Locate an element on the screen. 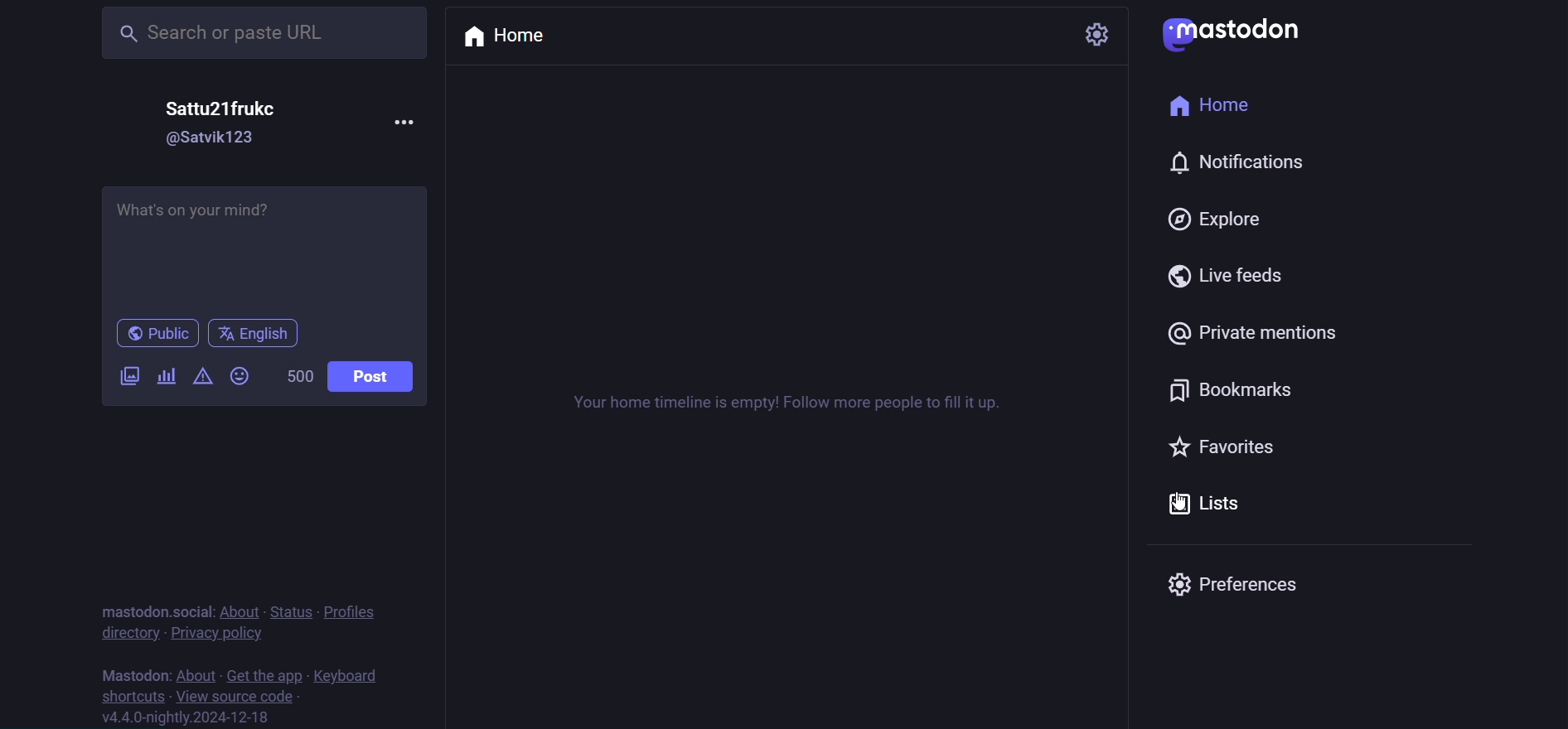 The width and height of the screenshot is (1568, 729). image/video is located at coordinates (128, 374).